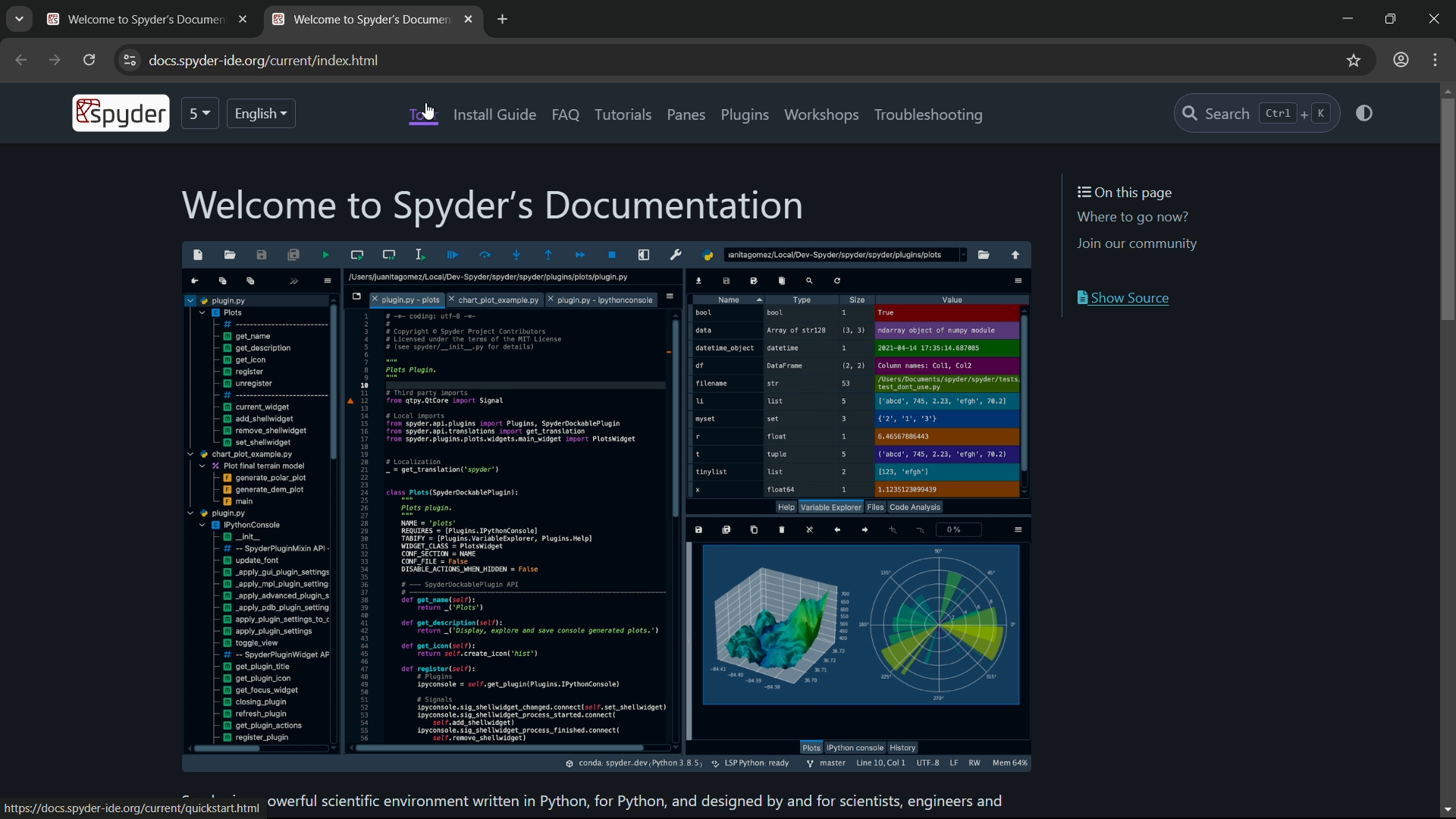  What do you see at coordinates (623, 115) in the screenshot?
I see `tutorials` at bounding box center [623, 115].